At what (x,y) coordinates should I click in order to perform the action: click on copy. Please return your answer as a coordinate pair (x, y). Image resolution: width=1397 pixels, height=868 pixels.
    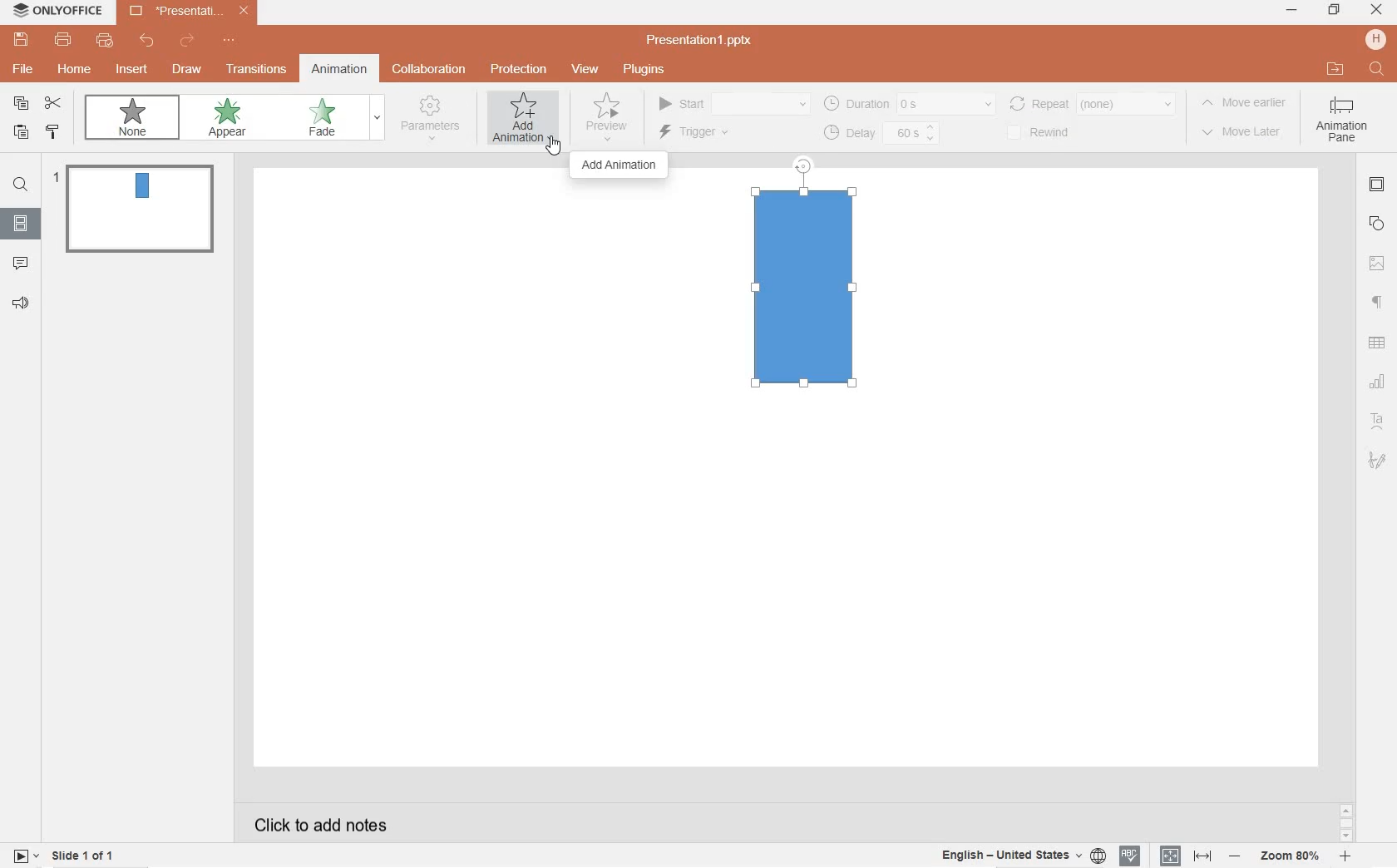
    Looking at the image, I should click on (22, 103).